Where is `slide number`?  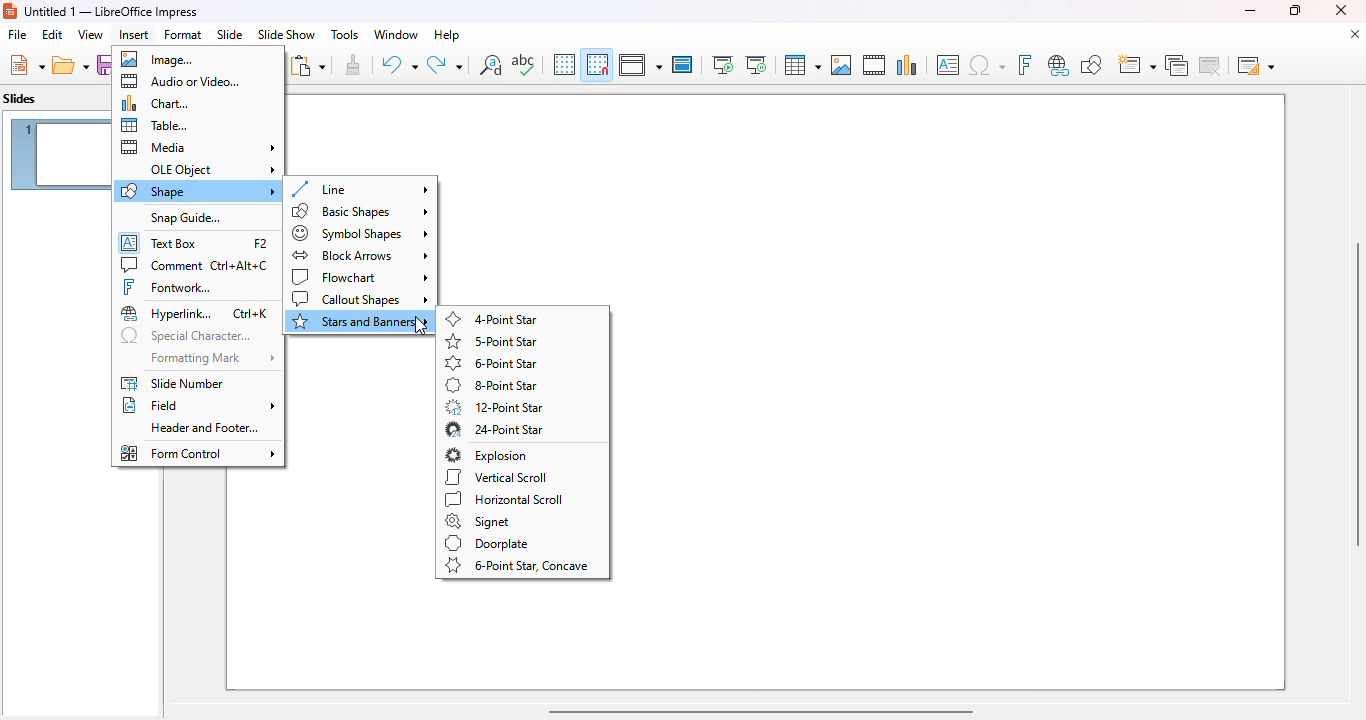 slide number is located at coordinates (172, 383).